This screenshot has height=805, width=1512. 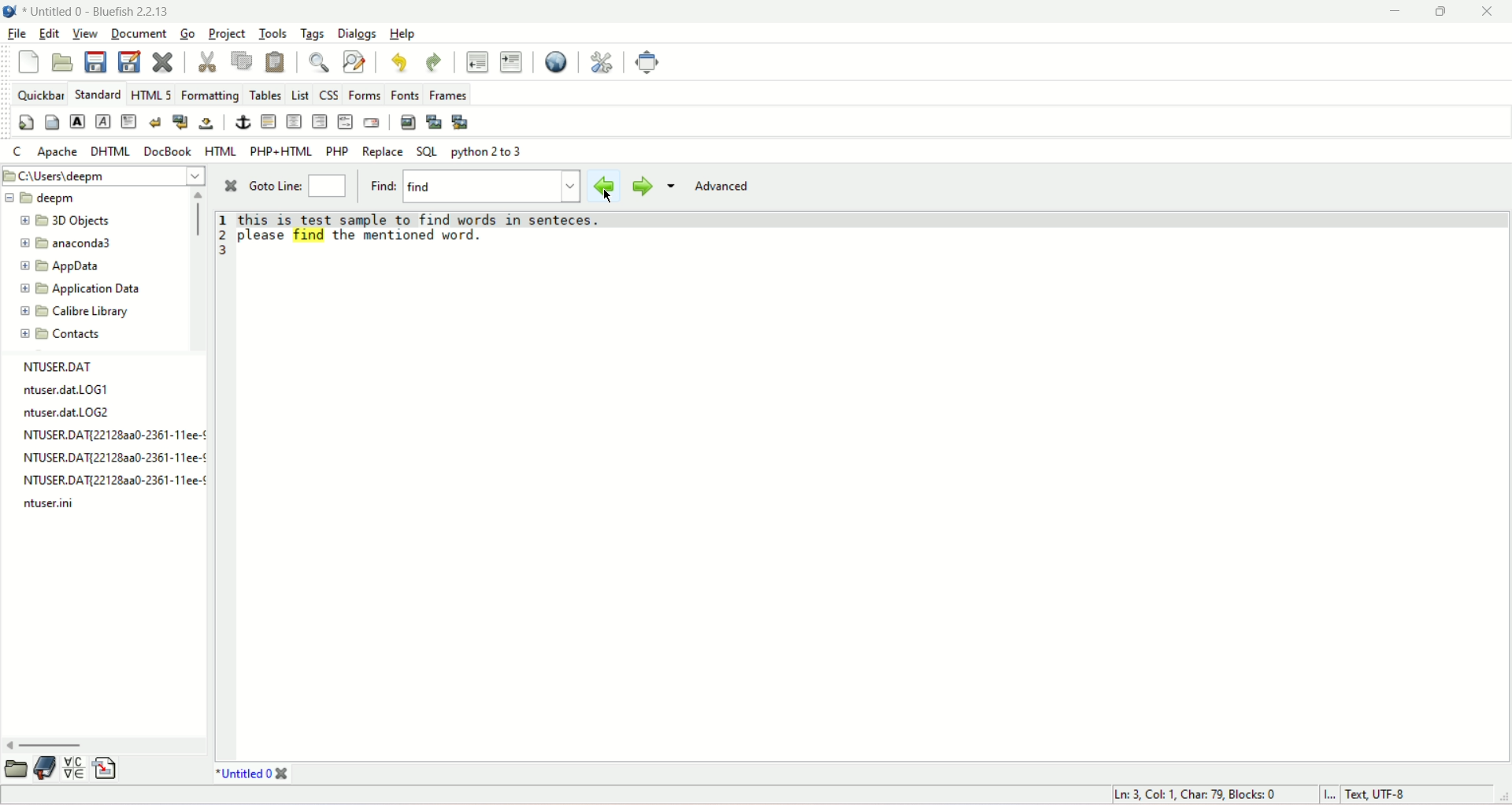 I want to click on right justify, so click(x=321, y=121).